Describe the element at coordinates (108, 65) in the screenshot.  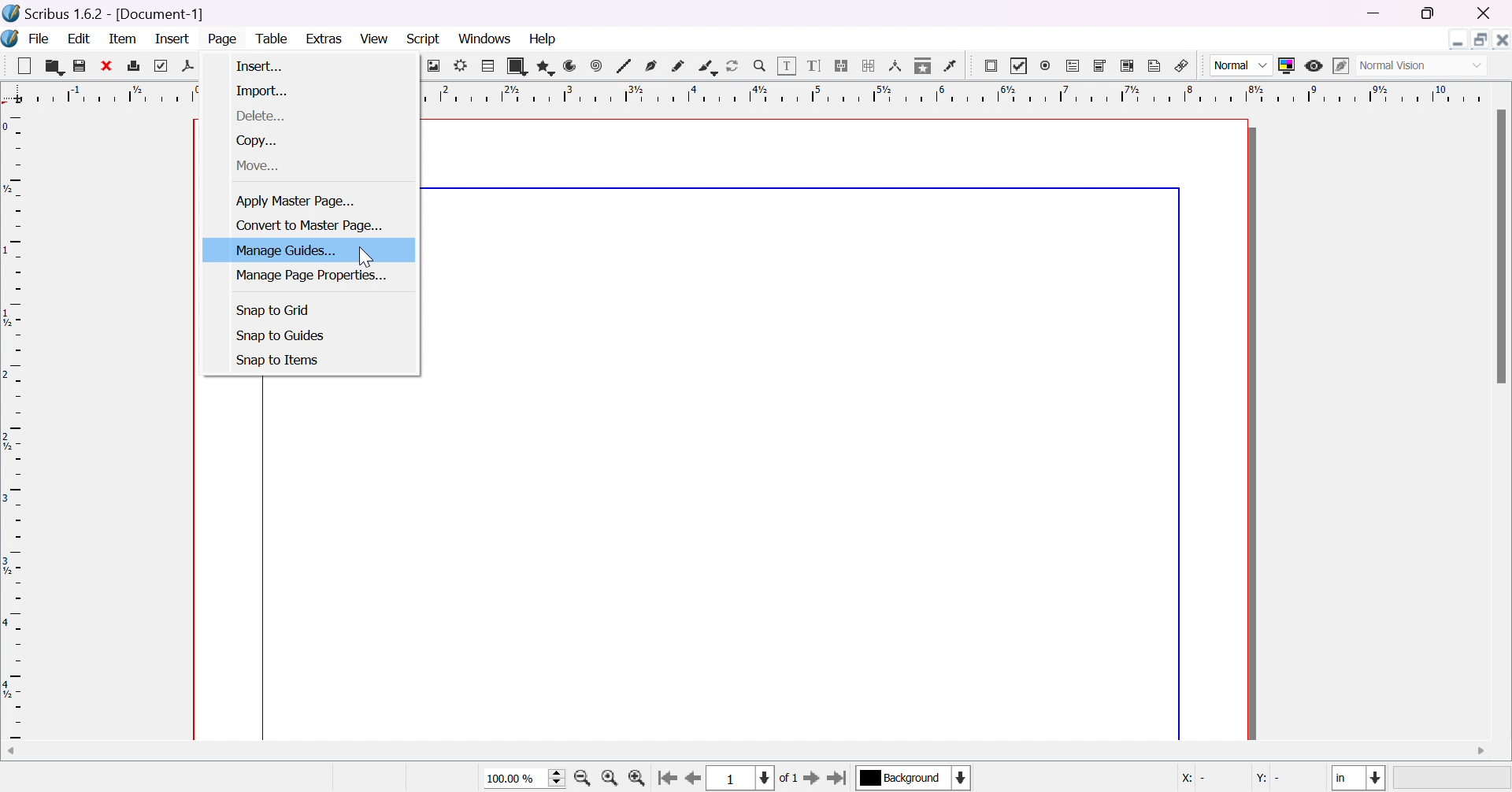
I see `close` at that location.